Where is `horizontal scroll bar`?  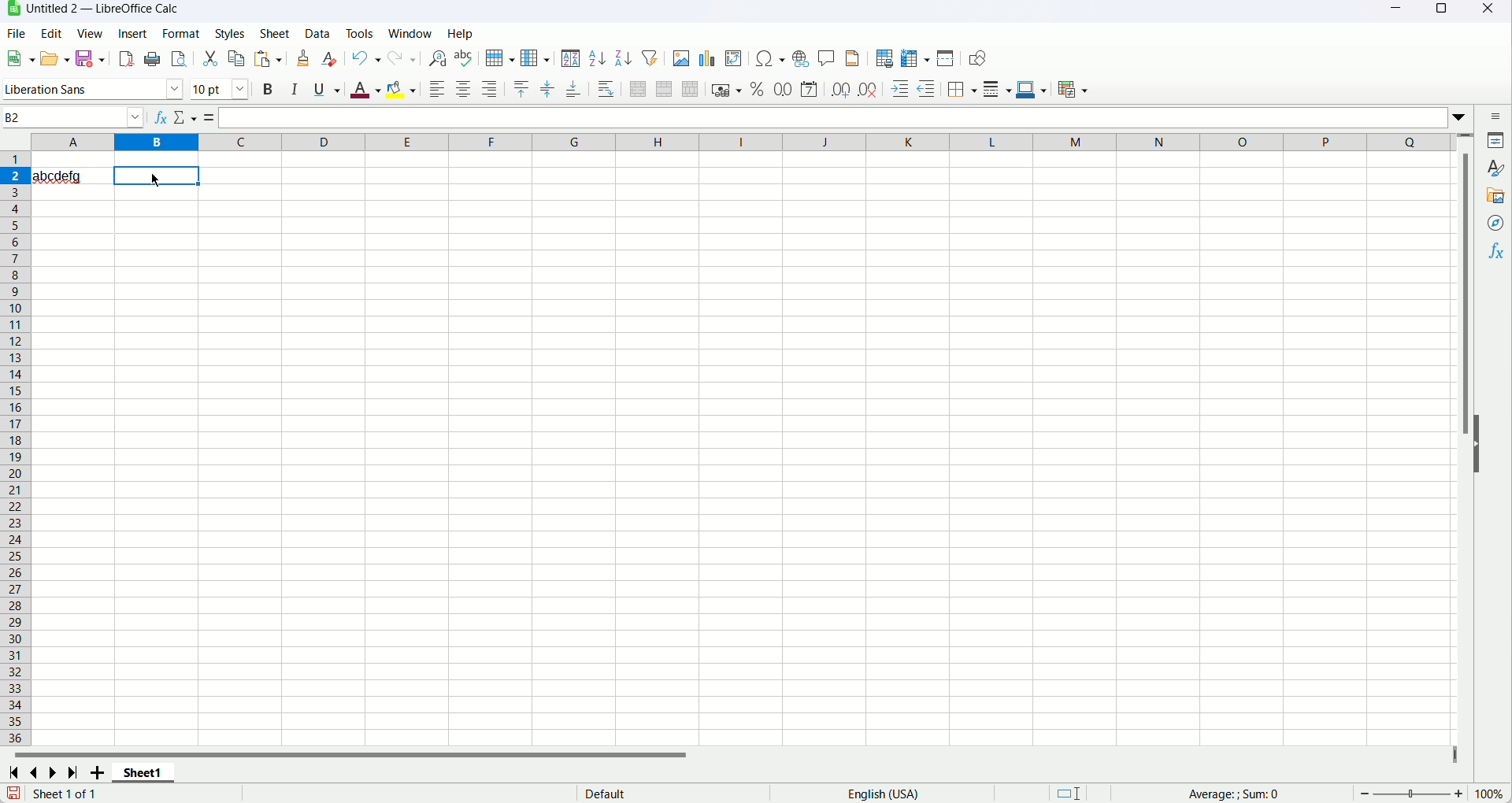 horizontal scroll bar is located at coordinates (731, 755).